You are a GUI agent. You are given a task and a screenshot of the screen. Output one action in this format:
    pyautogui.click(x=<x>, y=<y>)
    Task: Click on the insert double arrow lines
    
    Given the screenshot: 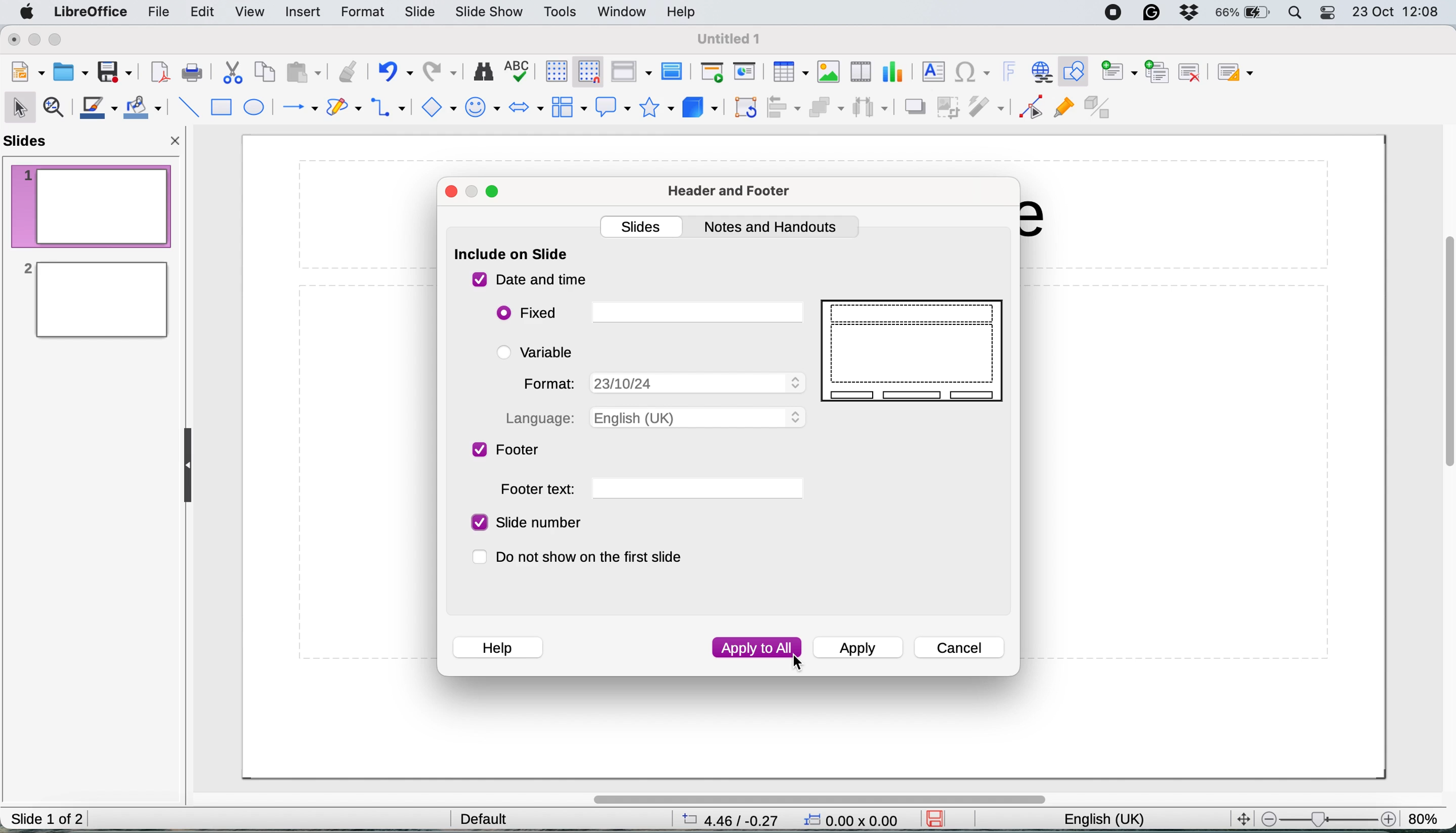 What is the action you would take?
    pyautogui.click(x=389, y=109)
    